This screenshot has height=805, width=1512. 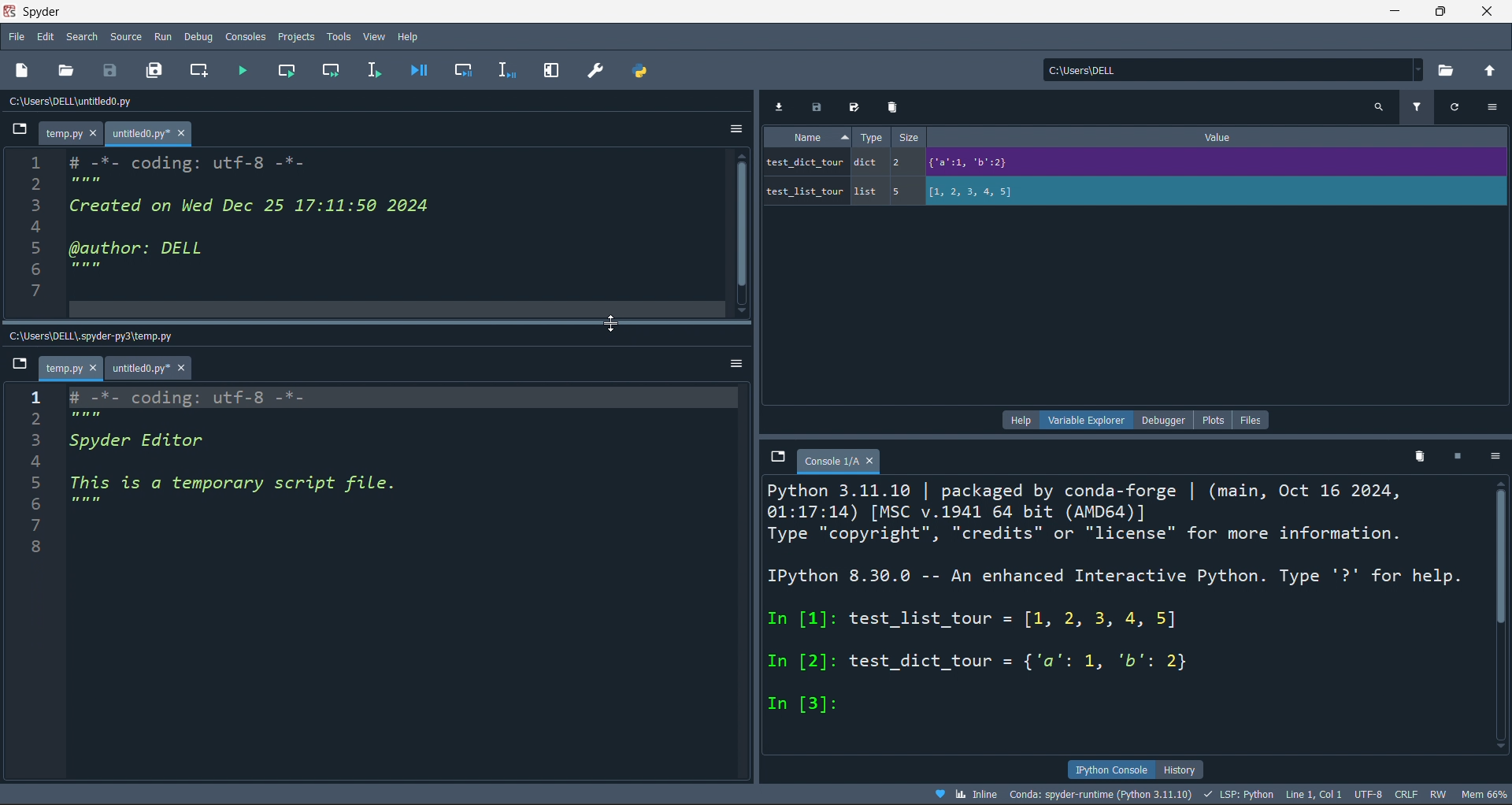 What do you see at coordinates (1425, 794) in the screenshot?
I see `CRF RW` at bounding box center [1425, 794].